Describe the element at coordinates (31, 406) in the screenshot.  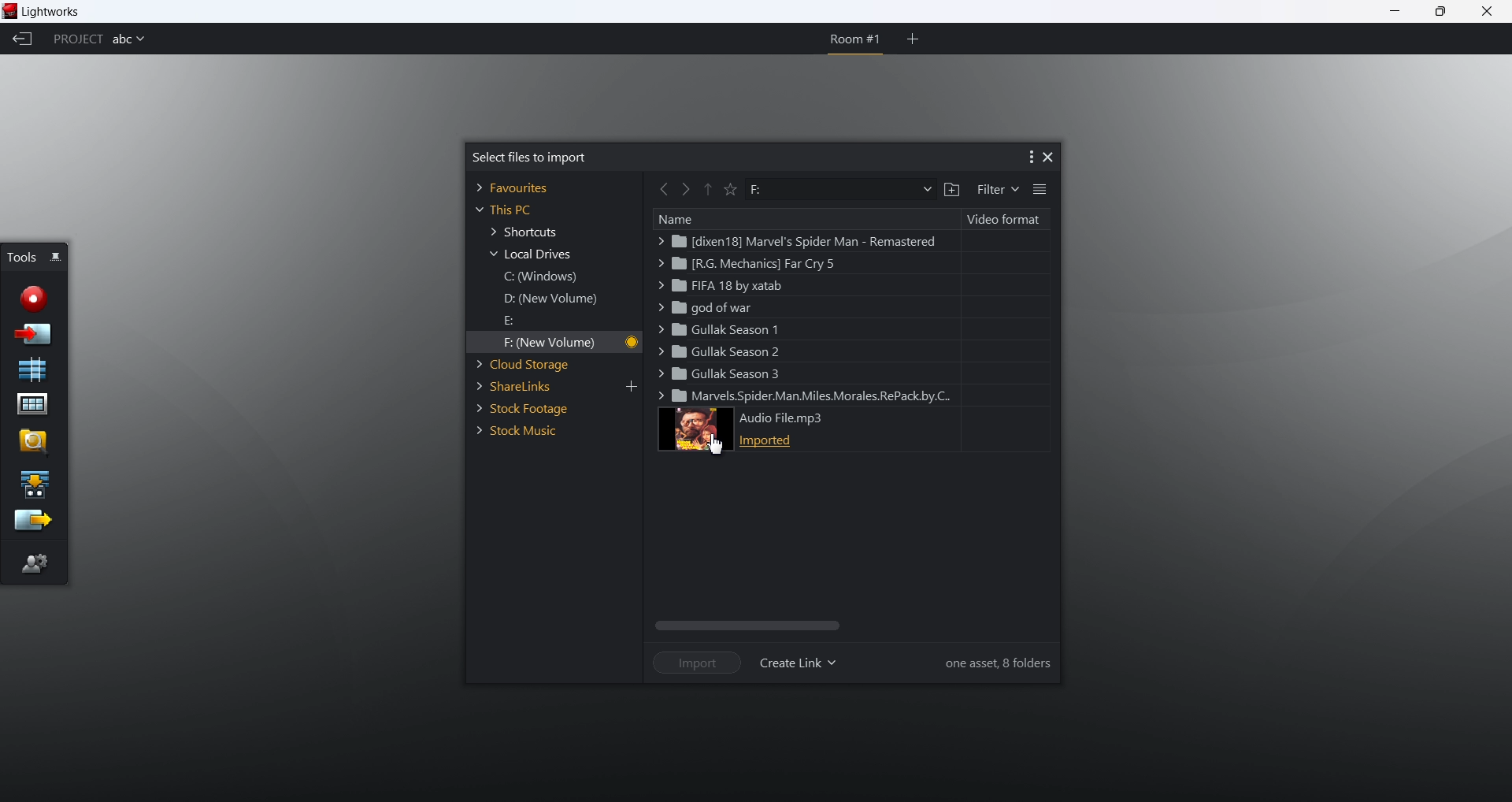
I see `project contents` at that location.